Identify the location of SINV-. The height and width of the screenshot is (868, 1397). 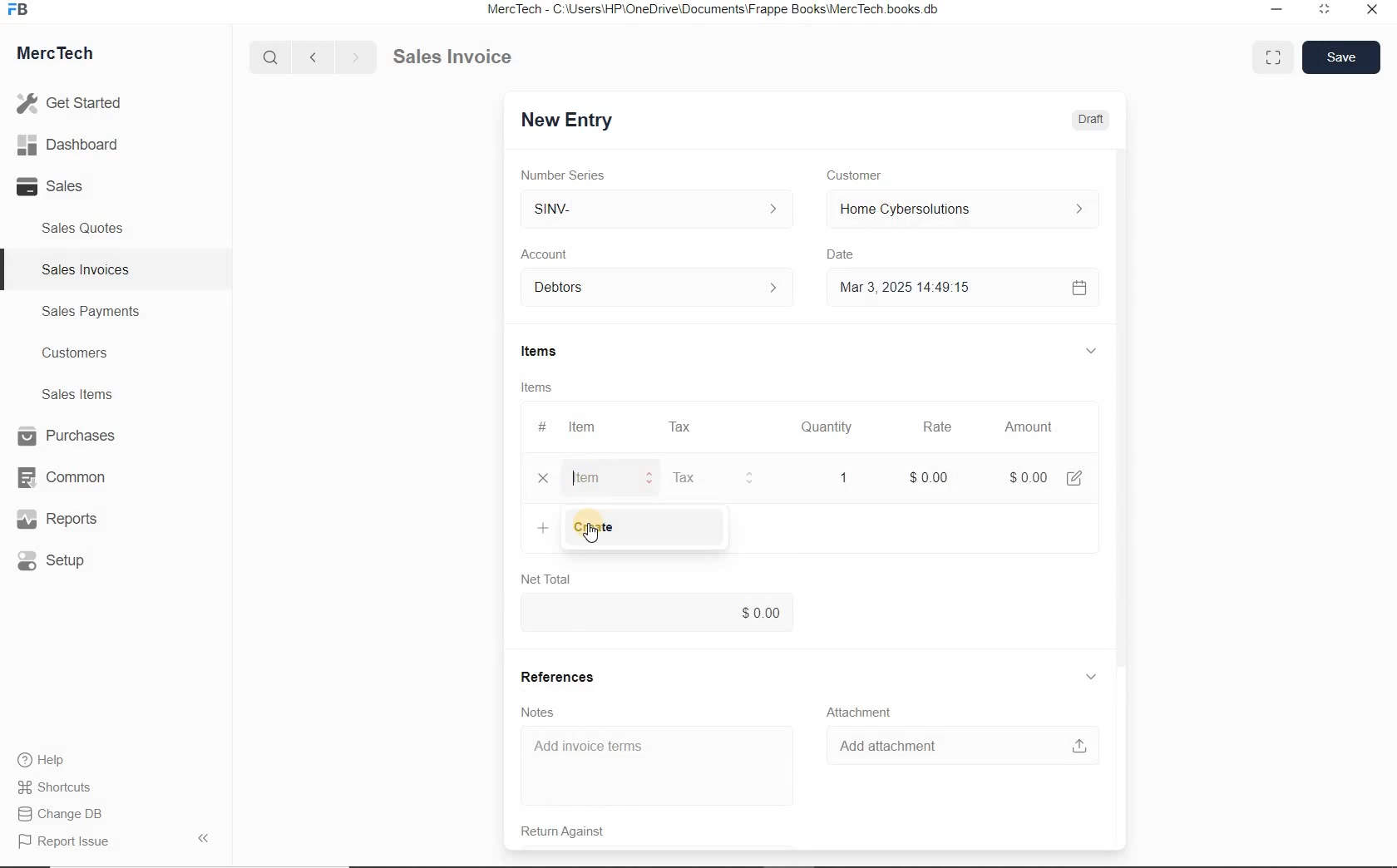
(655, 210).